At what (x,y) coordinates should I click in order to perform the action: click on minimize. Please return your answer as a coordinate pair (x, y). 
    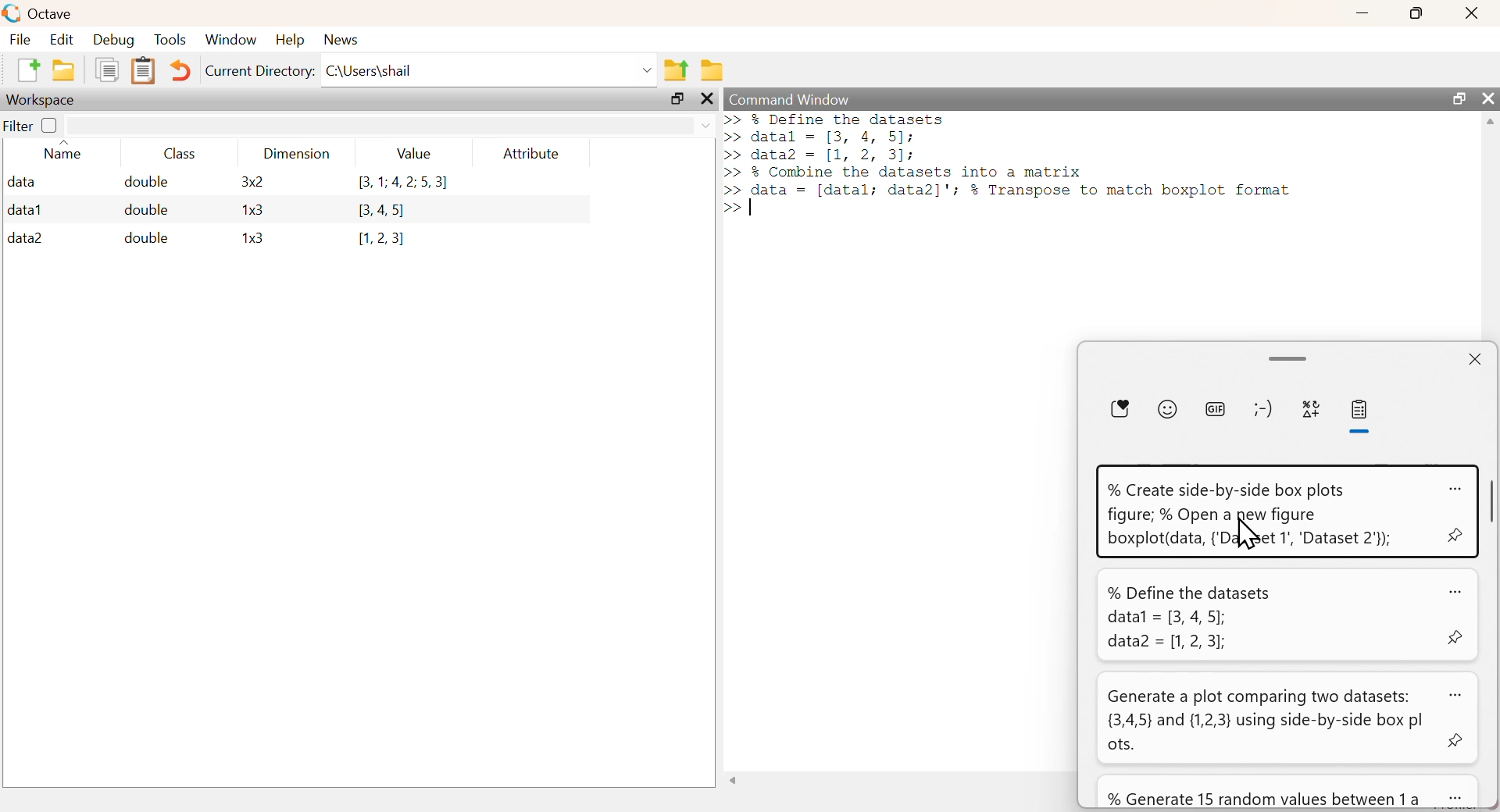
    Looking at the image, I should click on (1362, 12).